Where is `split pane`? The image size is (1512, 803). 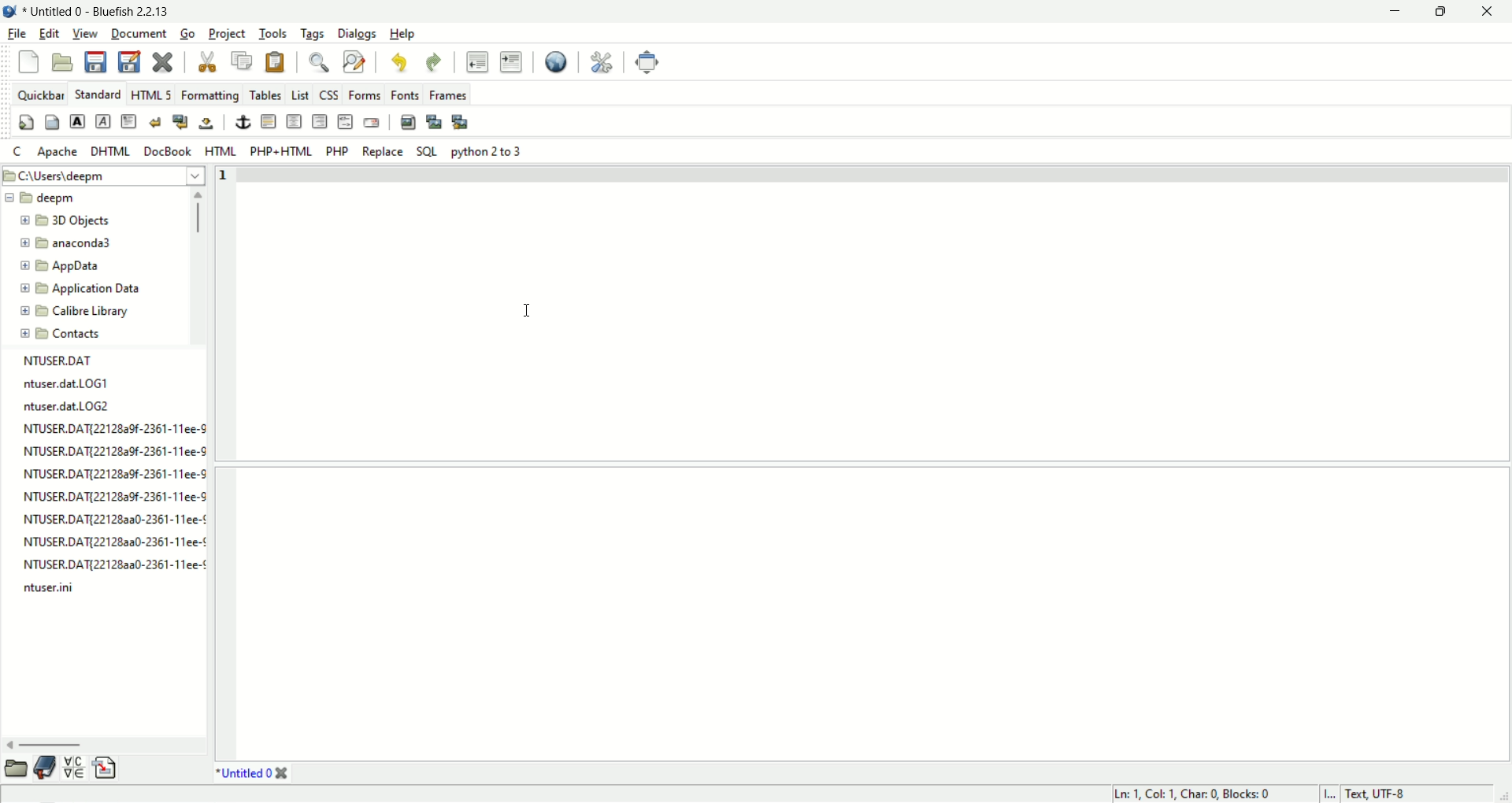 split pane is located at coordinates (859, 470).